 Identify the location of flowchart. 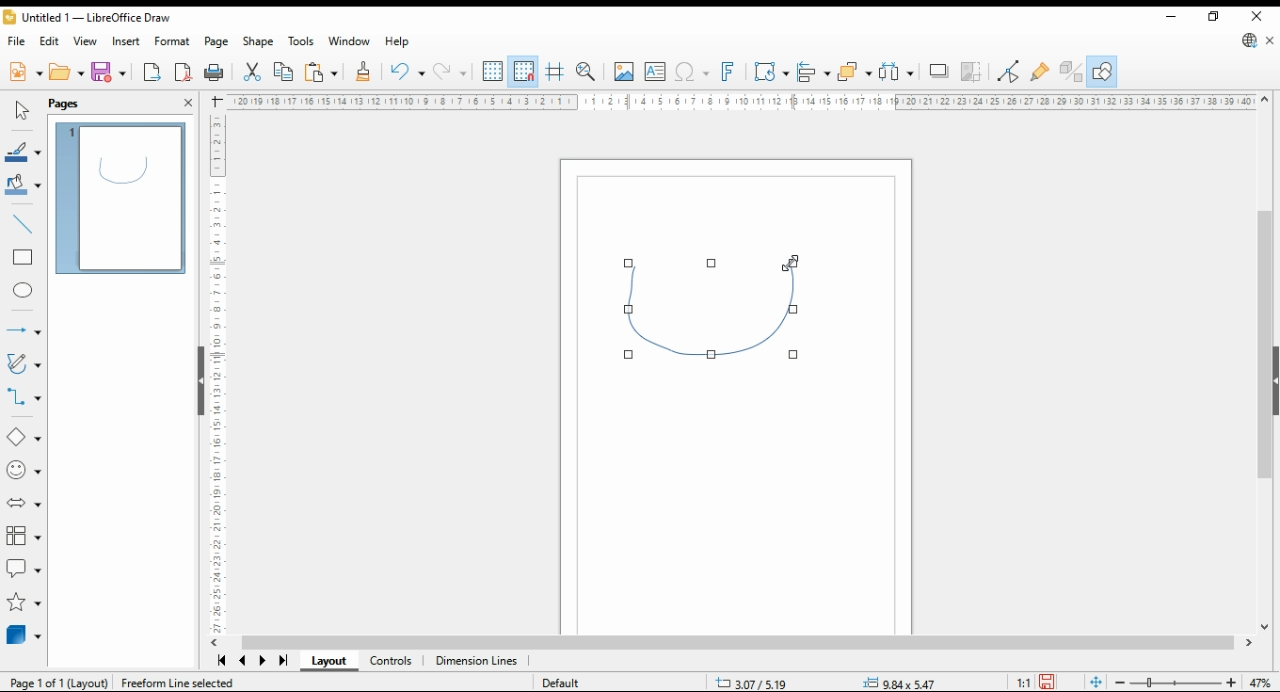
(22, 535).